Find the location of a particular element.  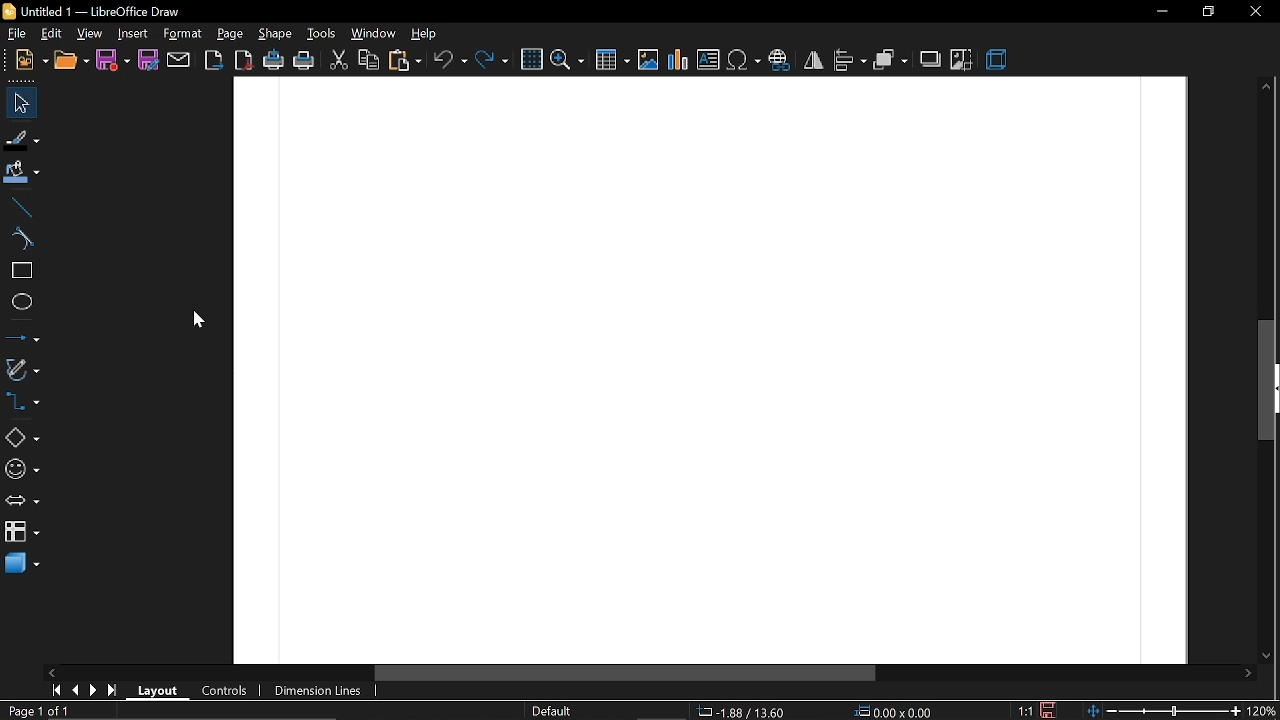

select is located at coordinates (16, 103).